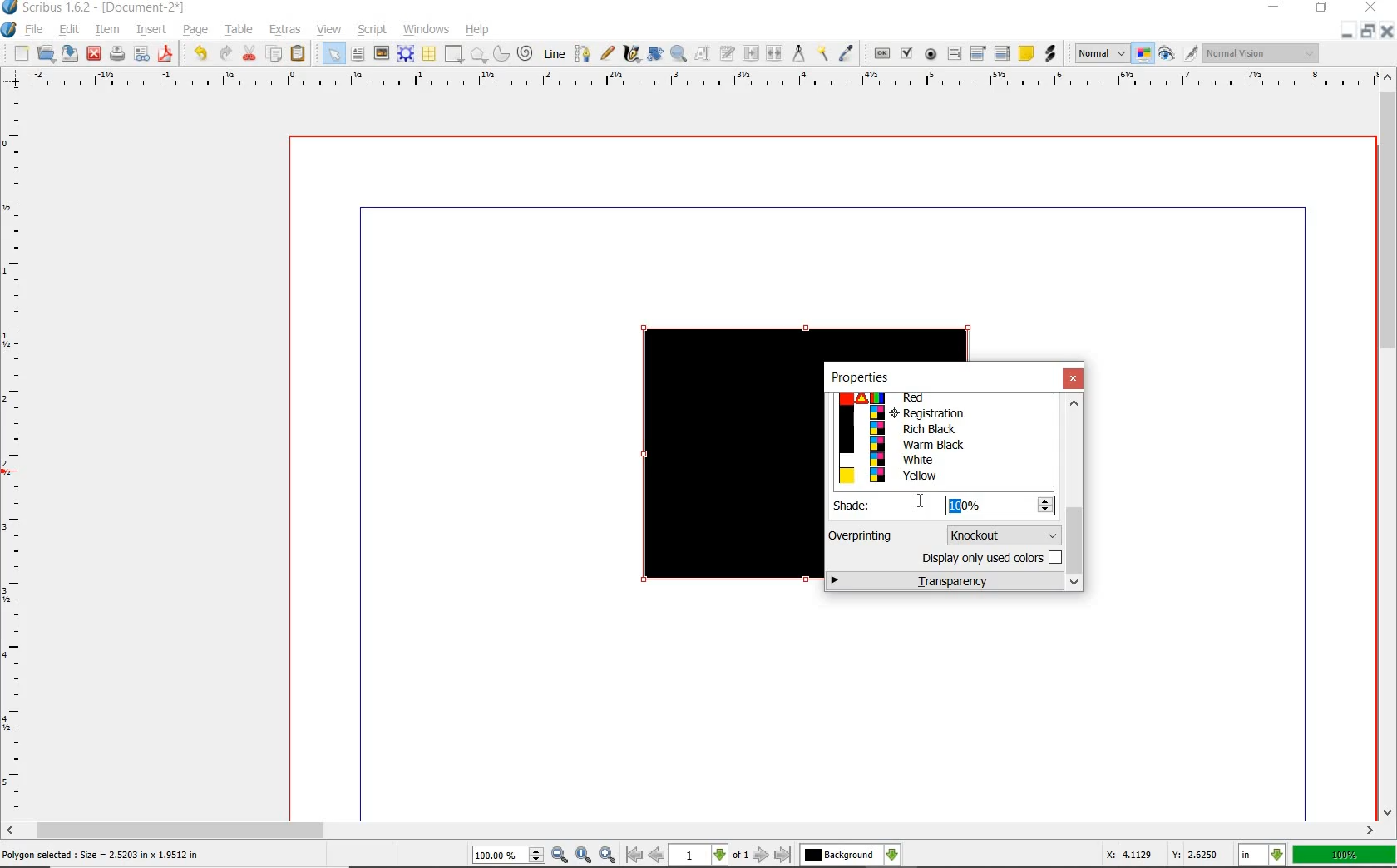 Image resolution: width=1397 pixels, height=868 pixels. Describe the element at coordinates (761, 856) in the screenshot. I see `go to next page` at that location.